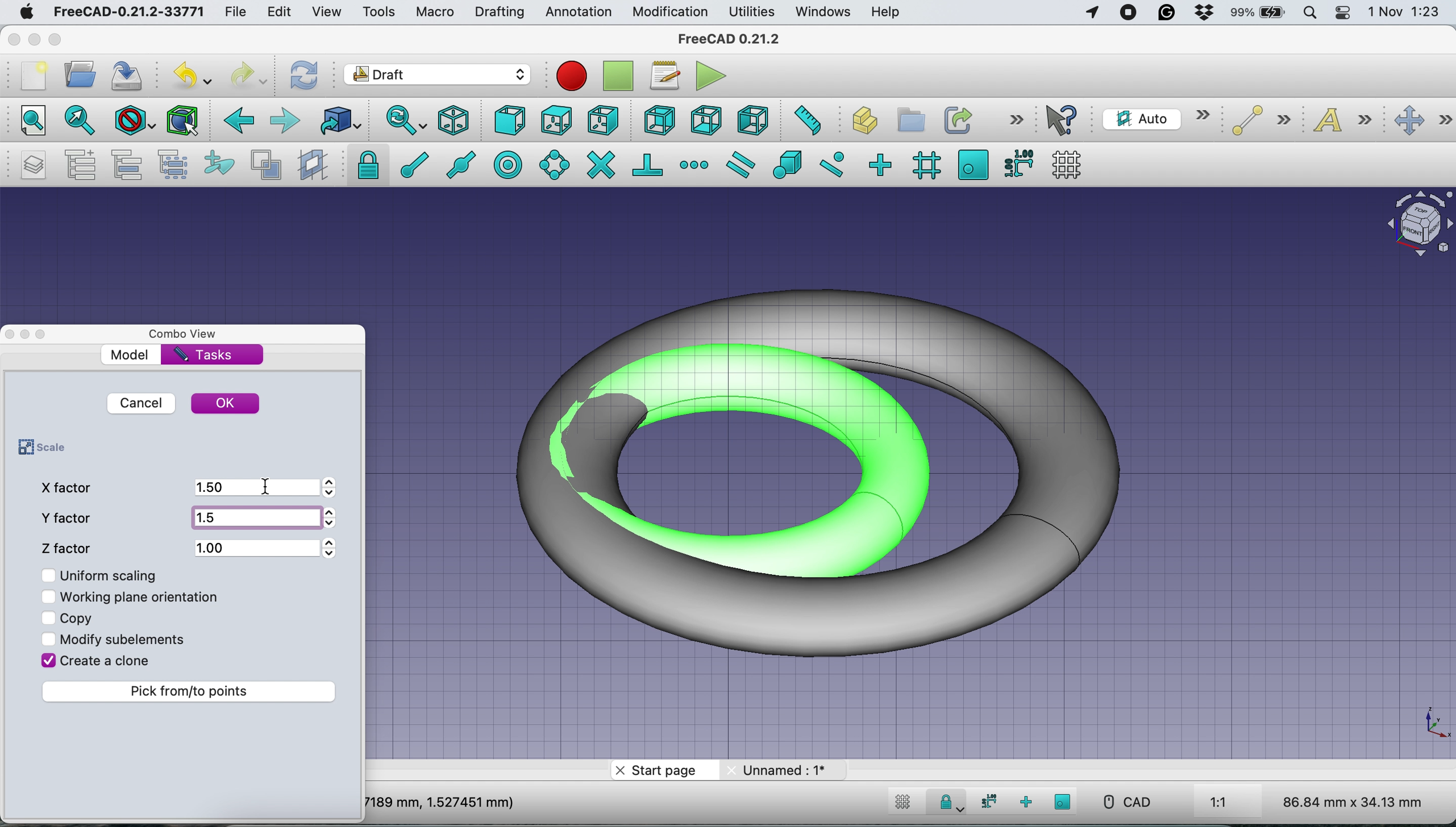  I want to click on backward, so click(238, 124).